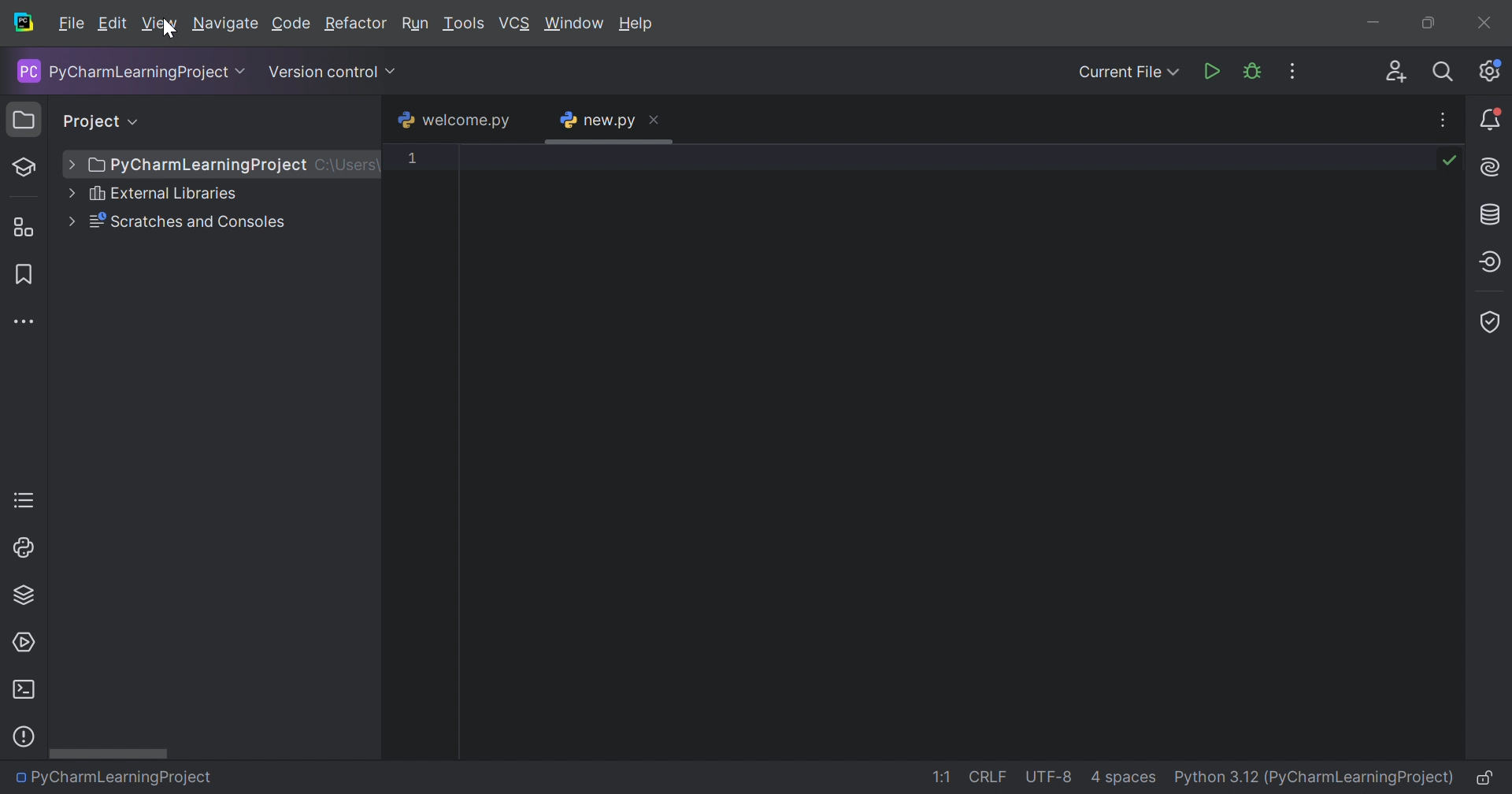  What do you see at coordinates (26, 689) in the screenshot?
I see `Terminal` at bounding box center [26, 689].